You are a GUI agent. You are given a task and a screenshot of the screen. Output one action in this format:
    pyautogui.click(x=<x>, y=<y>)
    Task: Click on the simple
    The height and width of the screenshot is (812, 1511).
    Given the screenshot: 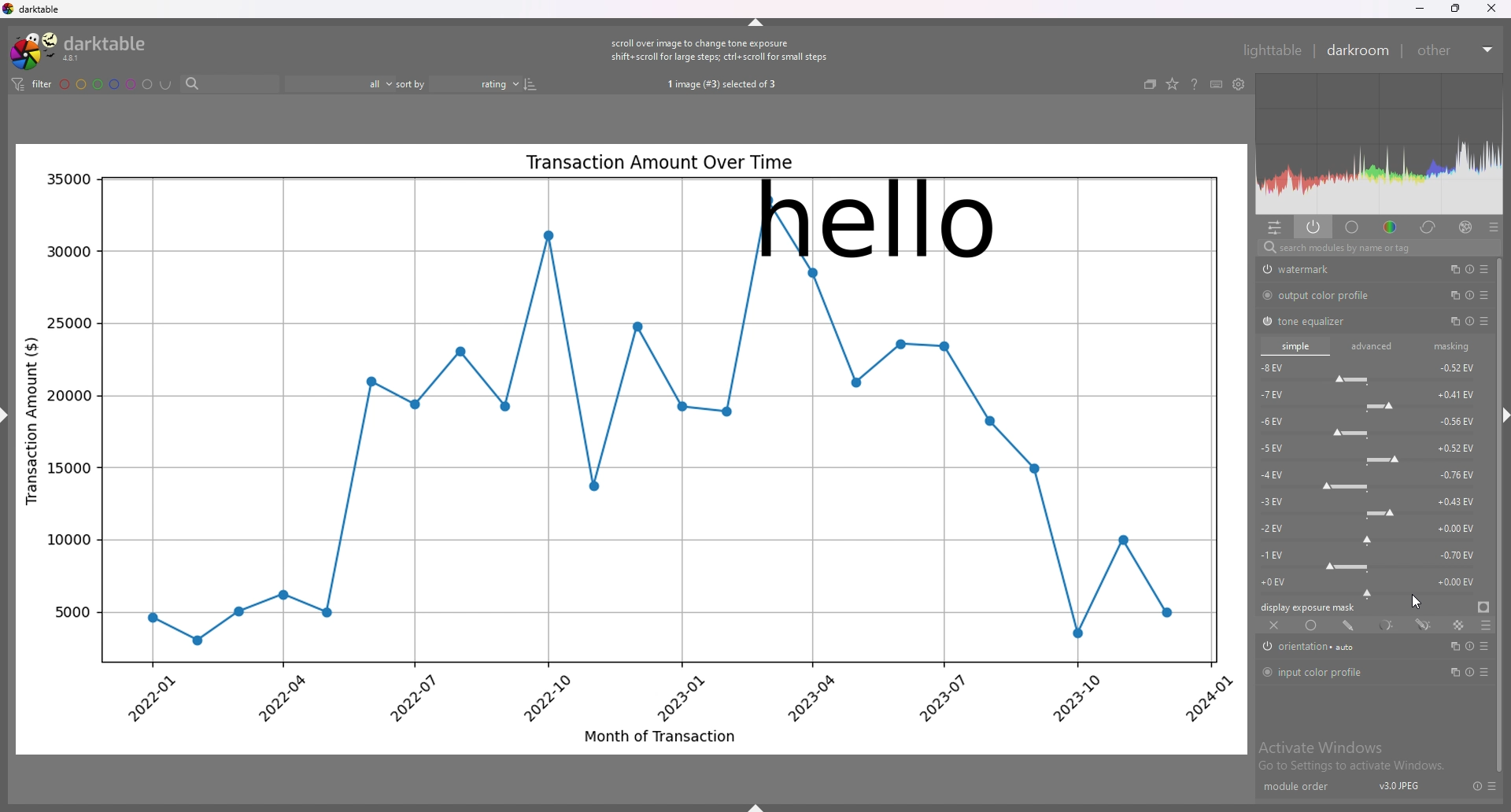 What is the action you would take?
    pyautogui.click(x=1295, y=345)
    